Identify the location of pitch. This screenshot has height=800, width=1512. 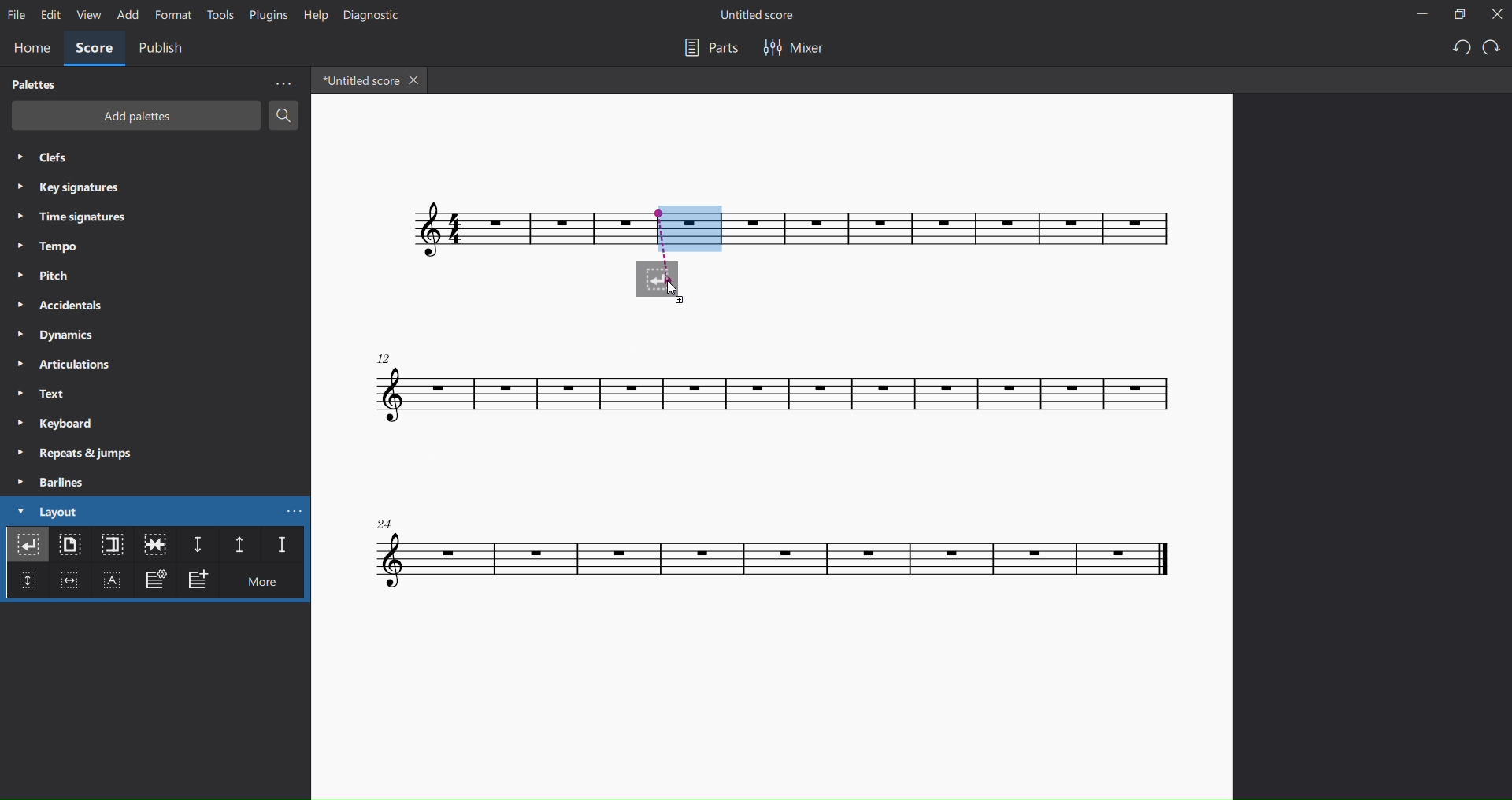
(50, 276).